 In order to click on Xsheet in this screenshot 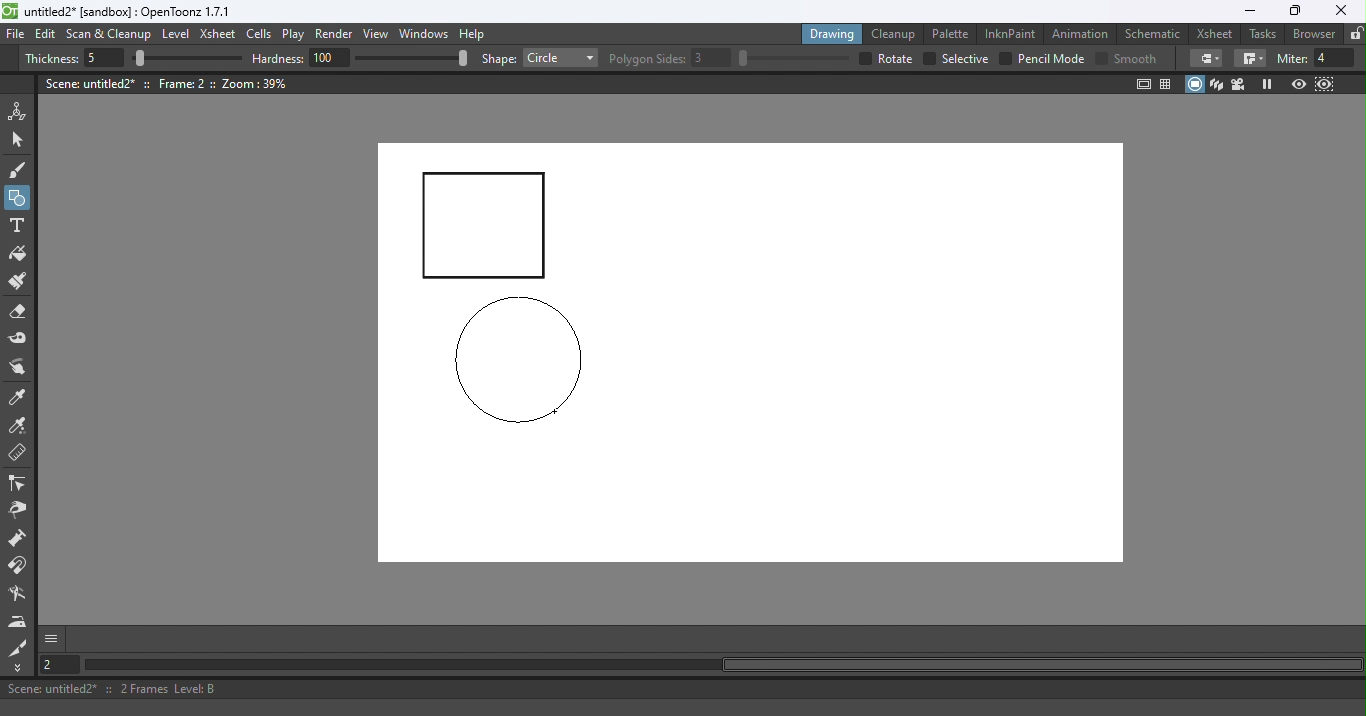, I will do `click(220, 36)`.